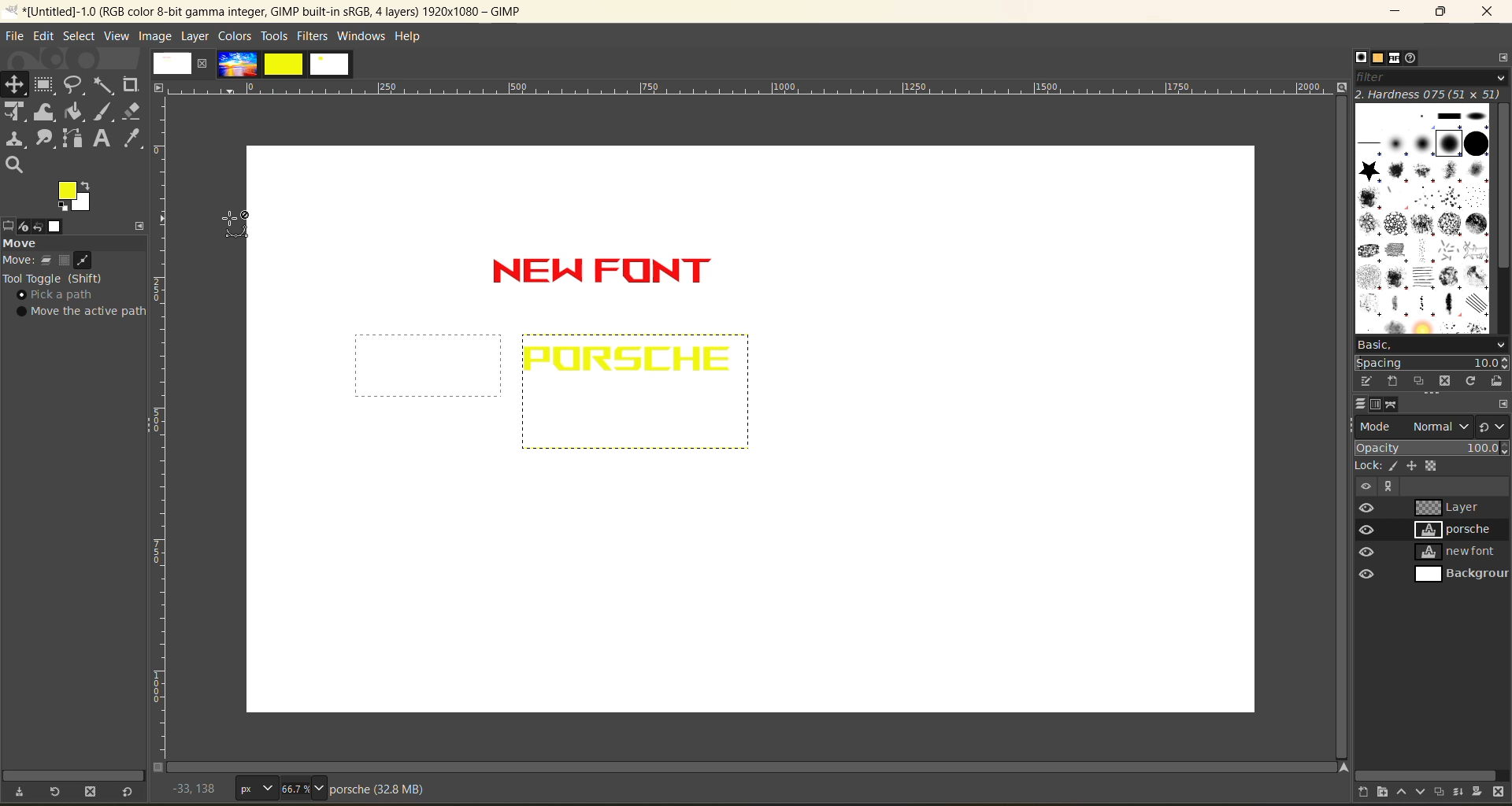  What do you see at coordinates (14, 113) in the screenshot?
I see `Unified transform tool` at bounding box center [14, 113].